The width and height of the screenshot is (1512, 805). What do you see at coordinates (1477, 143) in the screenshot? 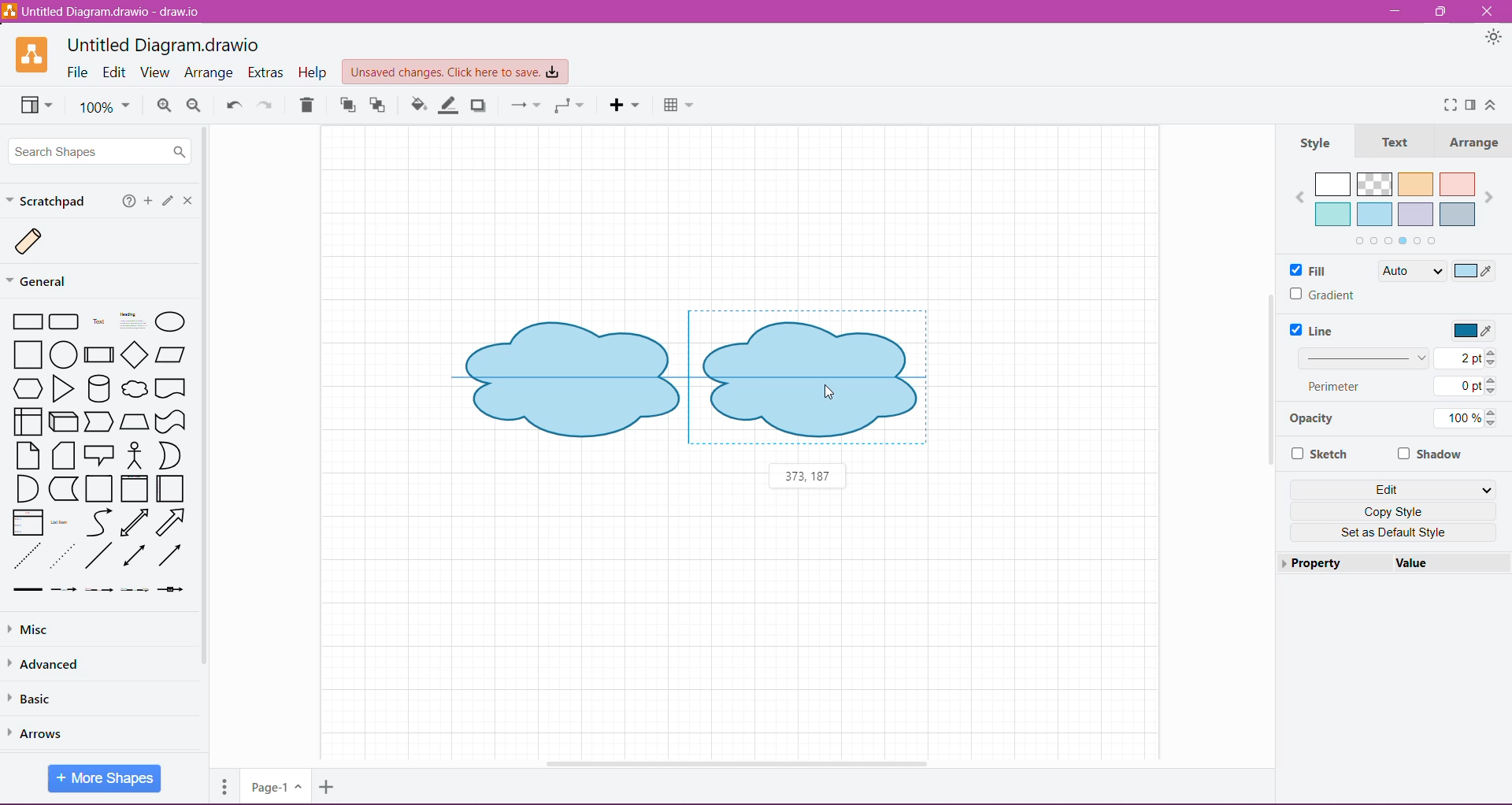
I see `Arrange` at bounding box center [1477, 143].